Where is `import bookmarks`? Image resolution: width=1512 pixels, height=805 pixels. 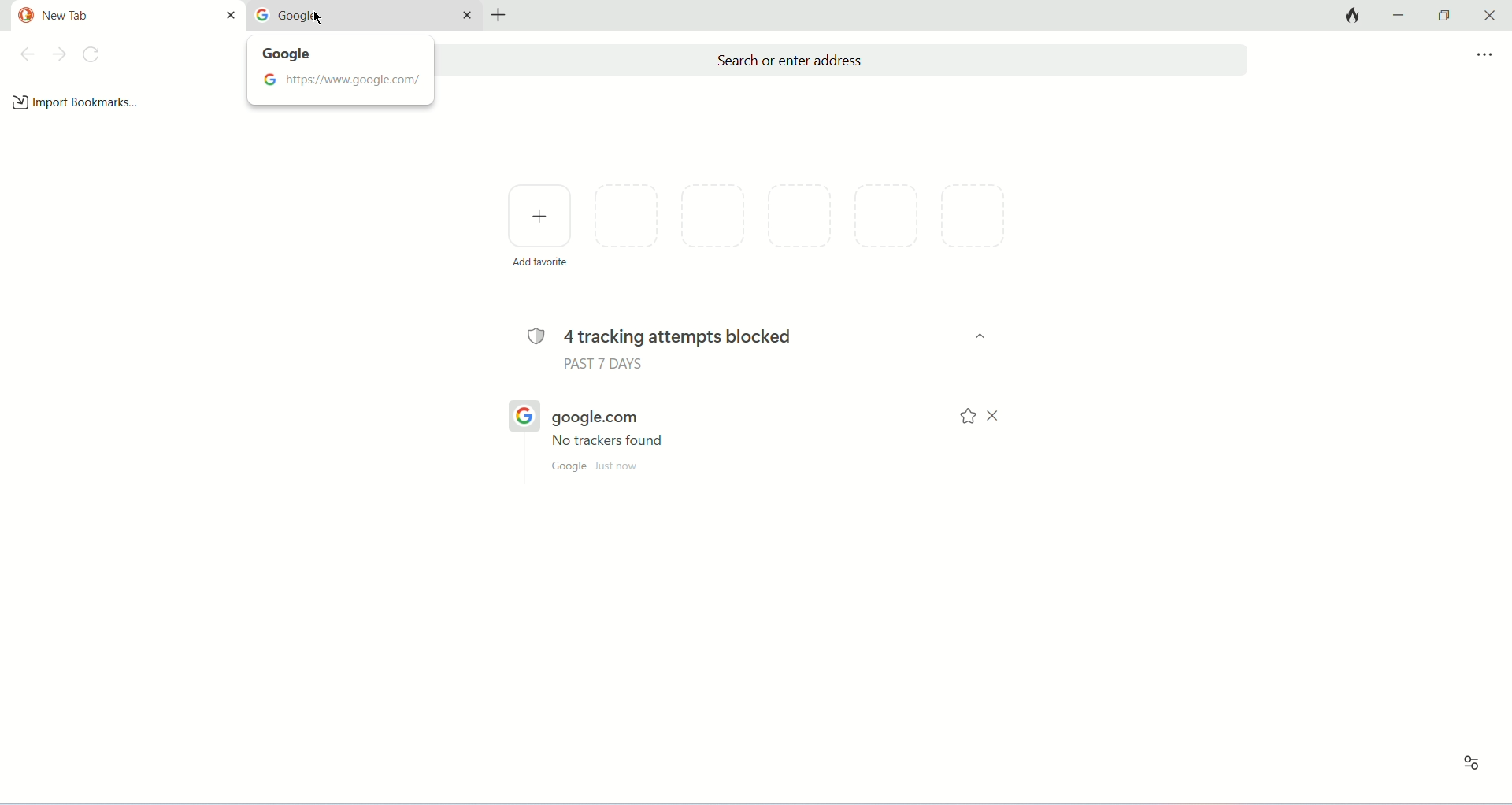
import bookmarks is located at coordinates (79, 102).